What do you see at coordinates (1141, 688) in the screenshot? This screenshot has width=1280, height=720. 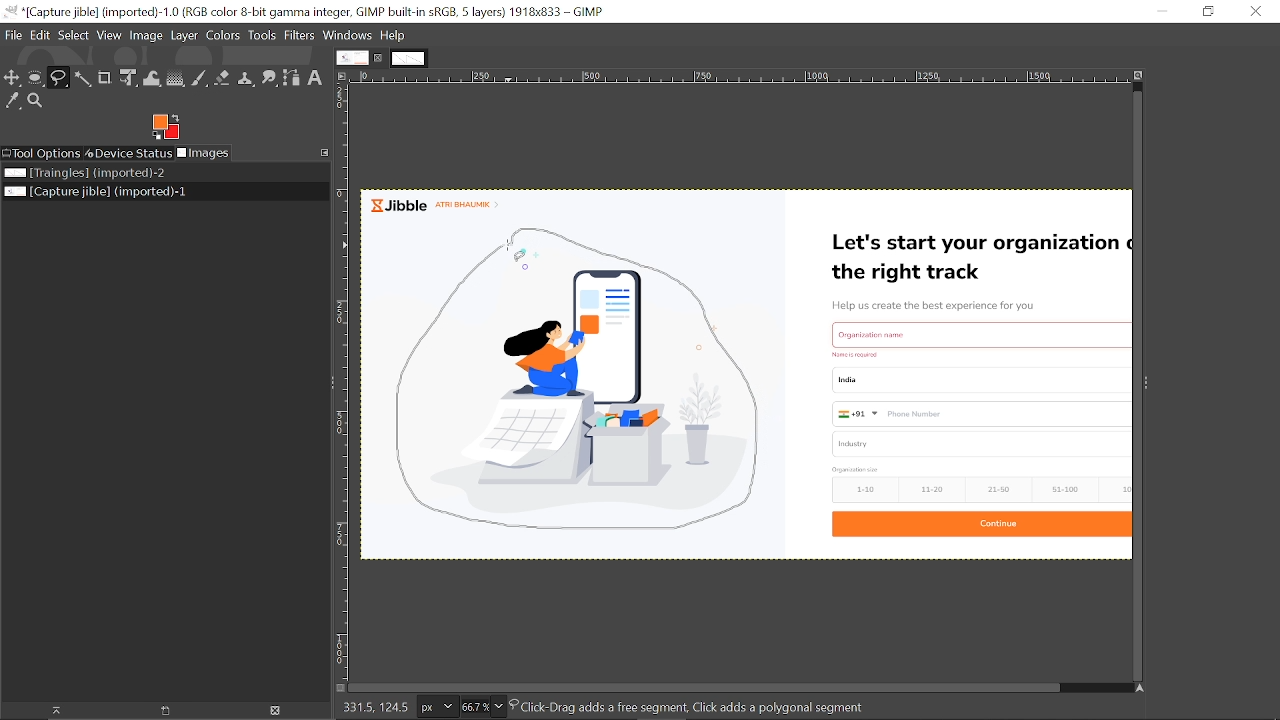 I see `Navigate this display` at bounding box center [1141, 688].